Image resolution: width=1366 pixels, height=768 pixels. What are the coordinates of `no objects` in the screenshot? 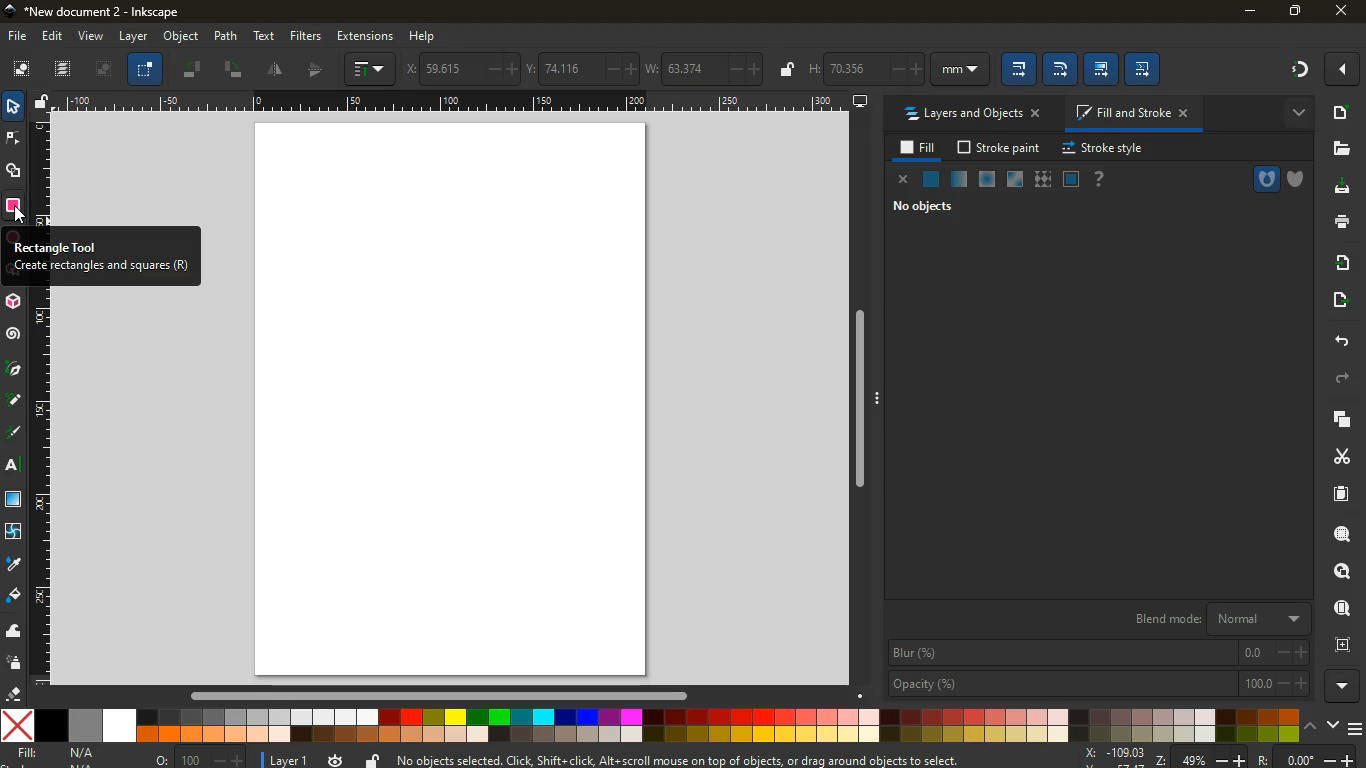 It's located at (931, 208).